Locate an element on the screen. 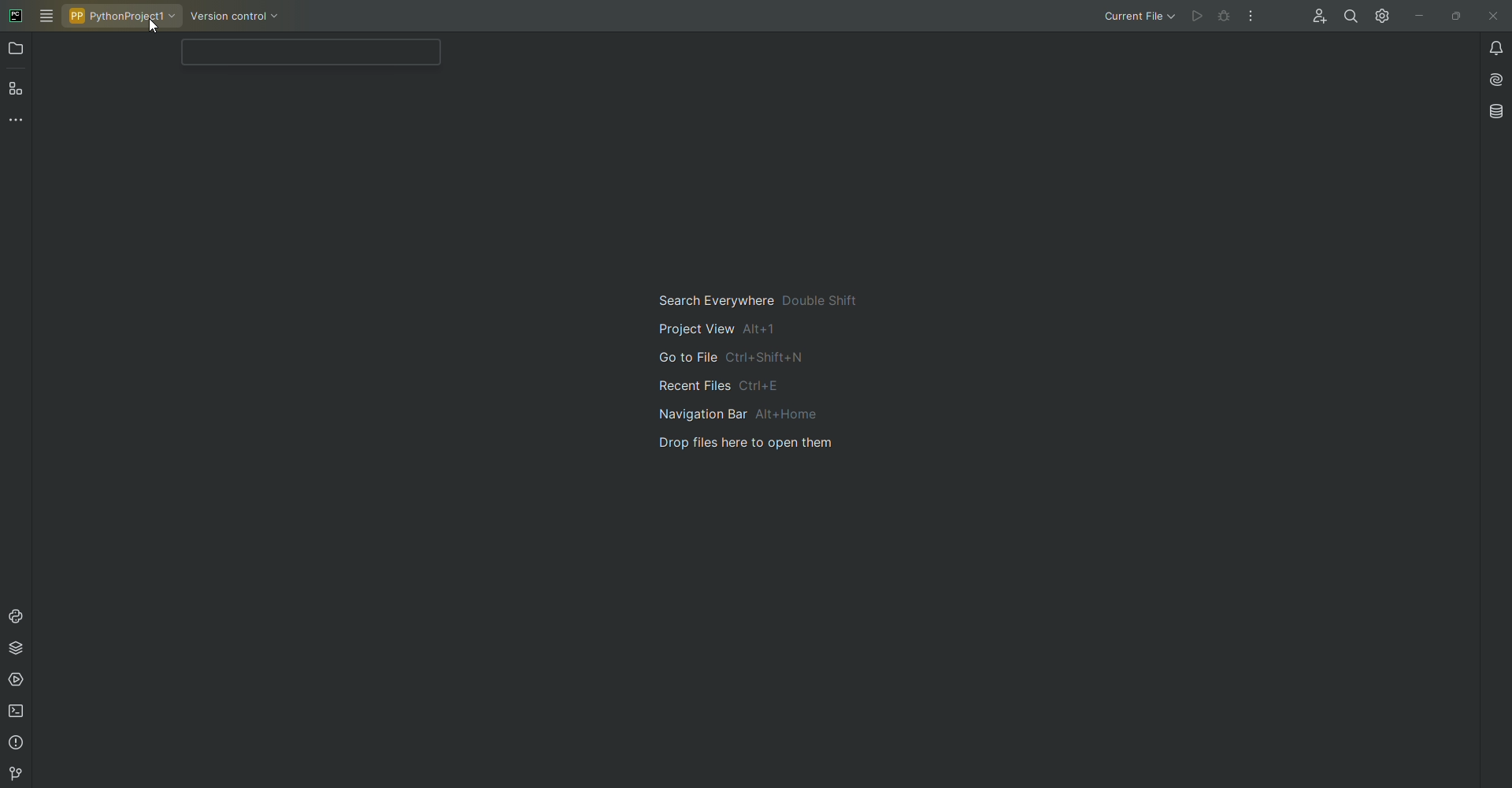 This screenshot has height=788, width=1512. Project is located at coordinates (17, 50).